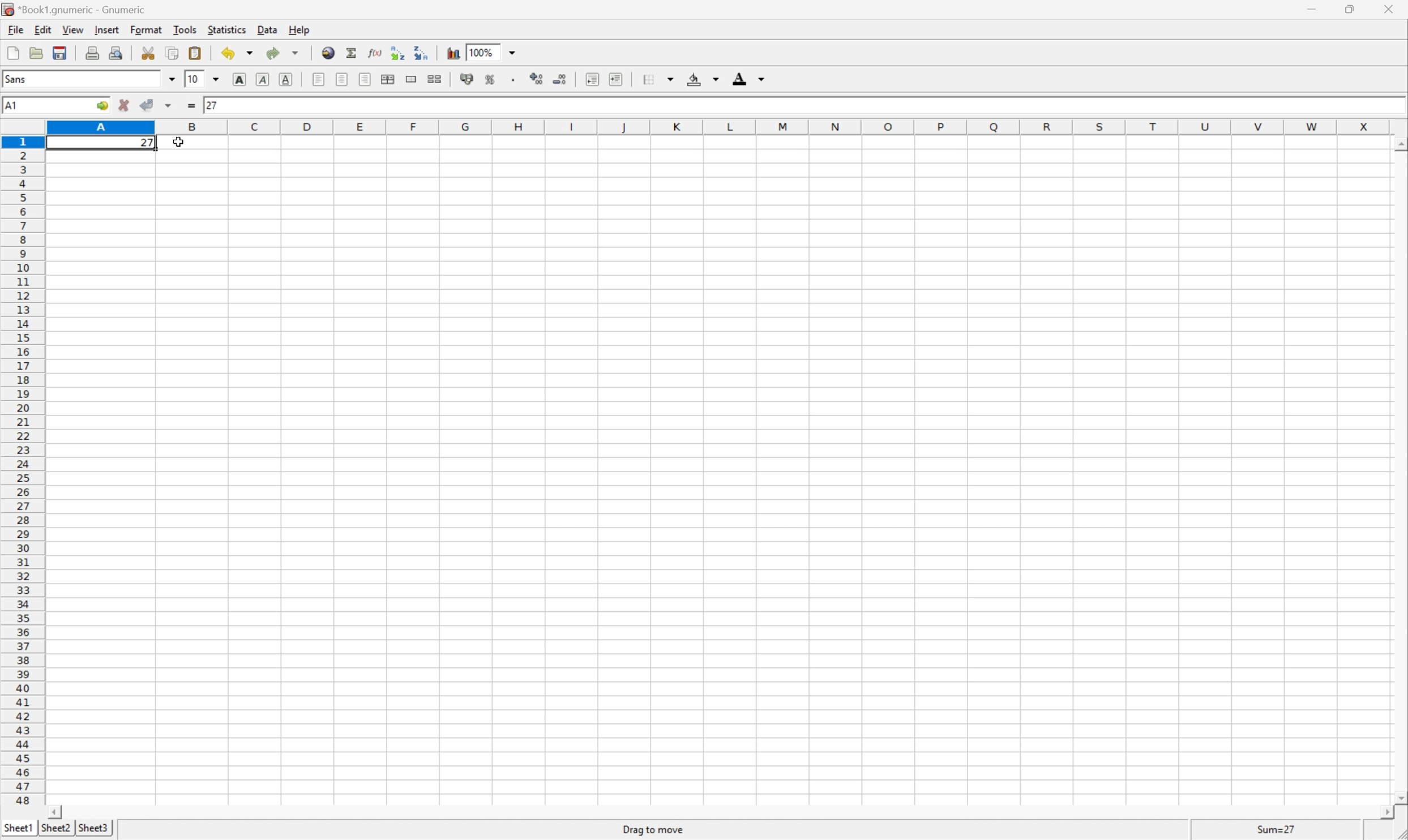 This screenshot has height=840, width=1408. What do you see at coordinates (426, 53) in the screenshot?
I see `Sort the selected region in descending order based on the first column selected` at bounding box center [426, 53].